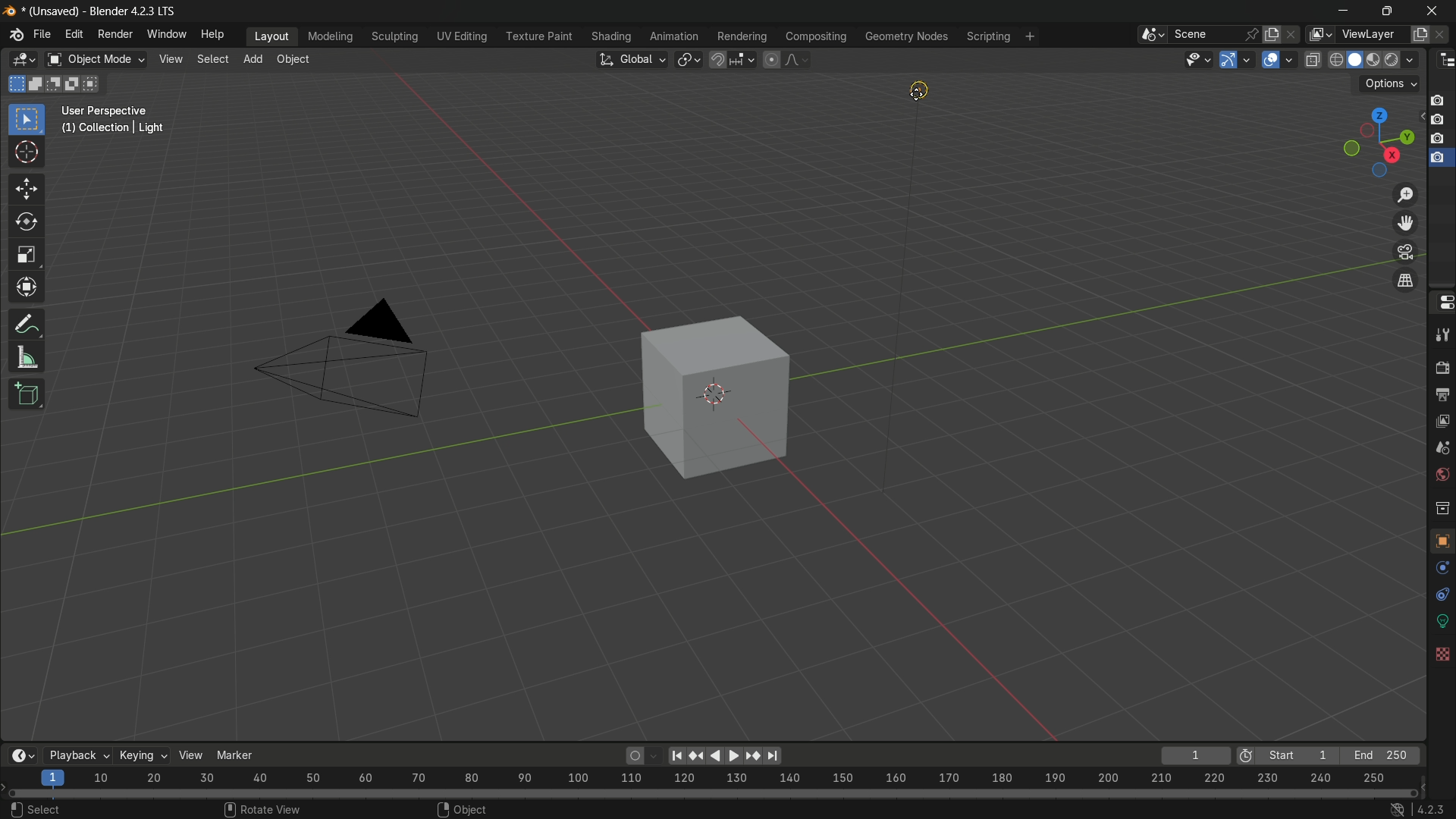  What do you see at coordinates (1198, 58) in the screenshot?
I see `selectability and visibility` at bounding box center [1198, 58].